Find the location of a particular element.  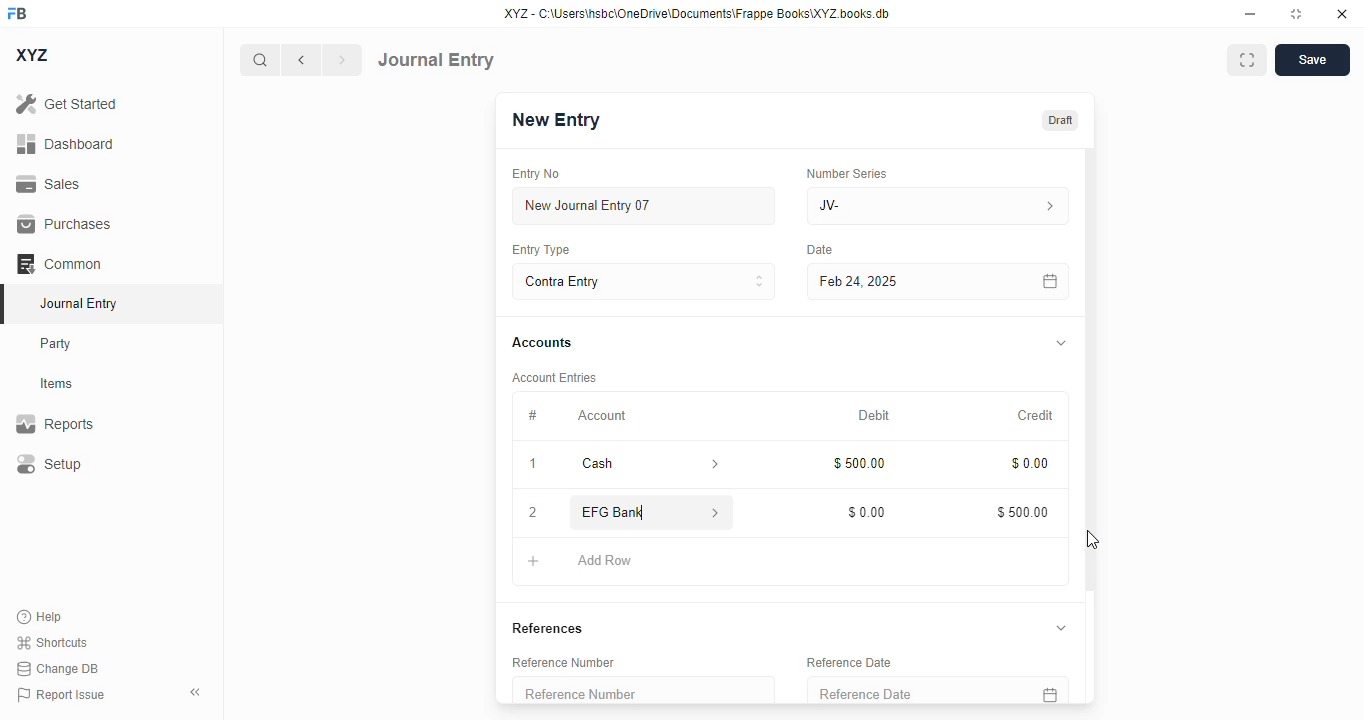

next is located at coordinates (343, 60).